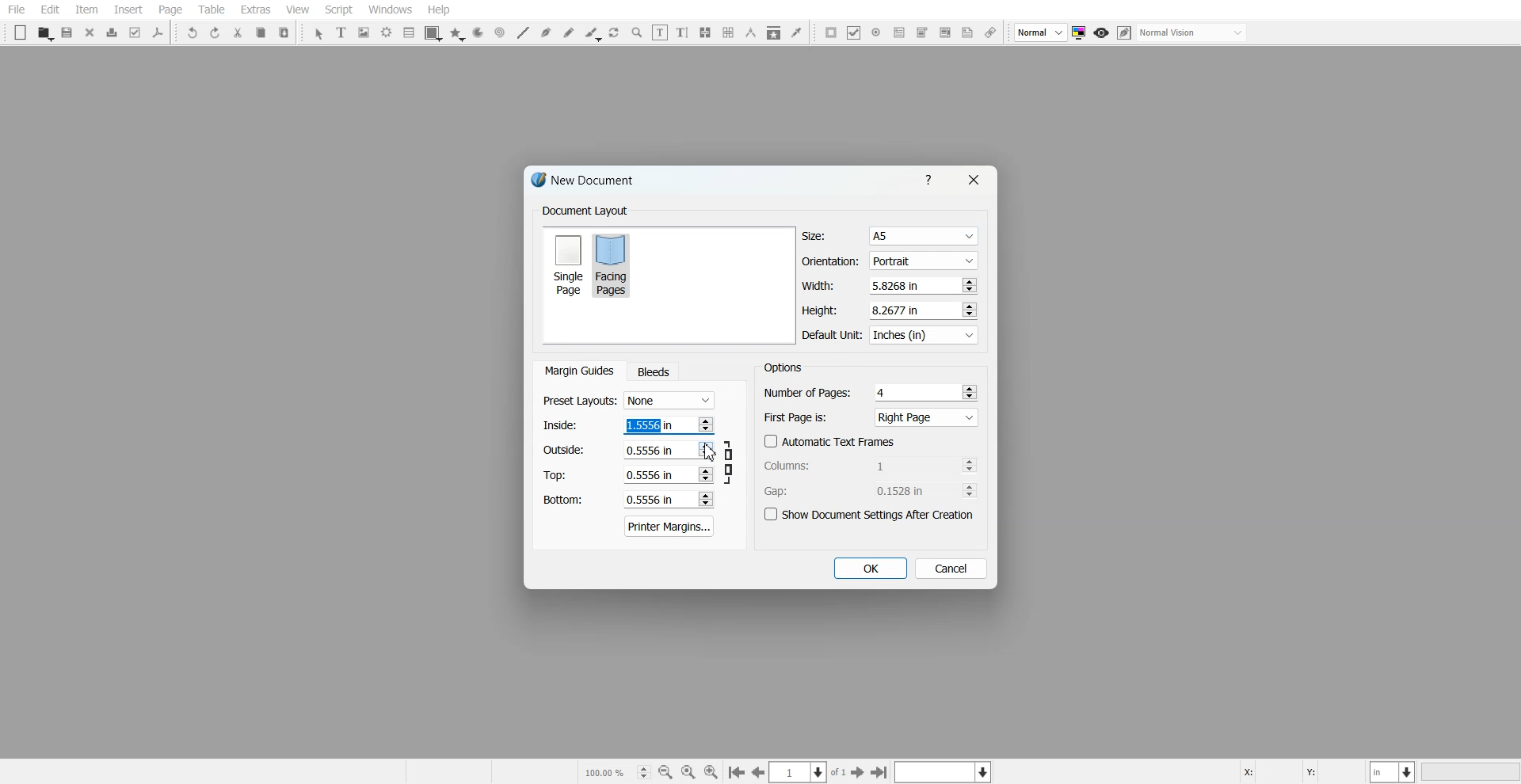 The height and width of the screenshot is (784, 1521). I want to click on Eye Dropper, so click(796, 32).